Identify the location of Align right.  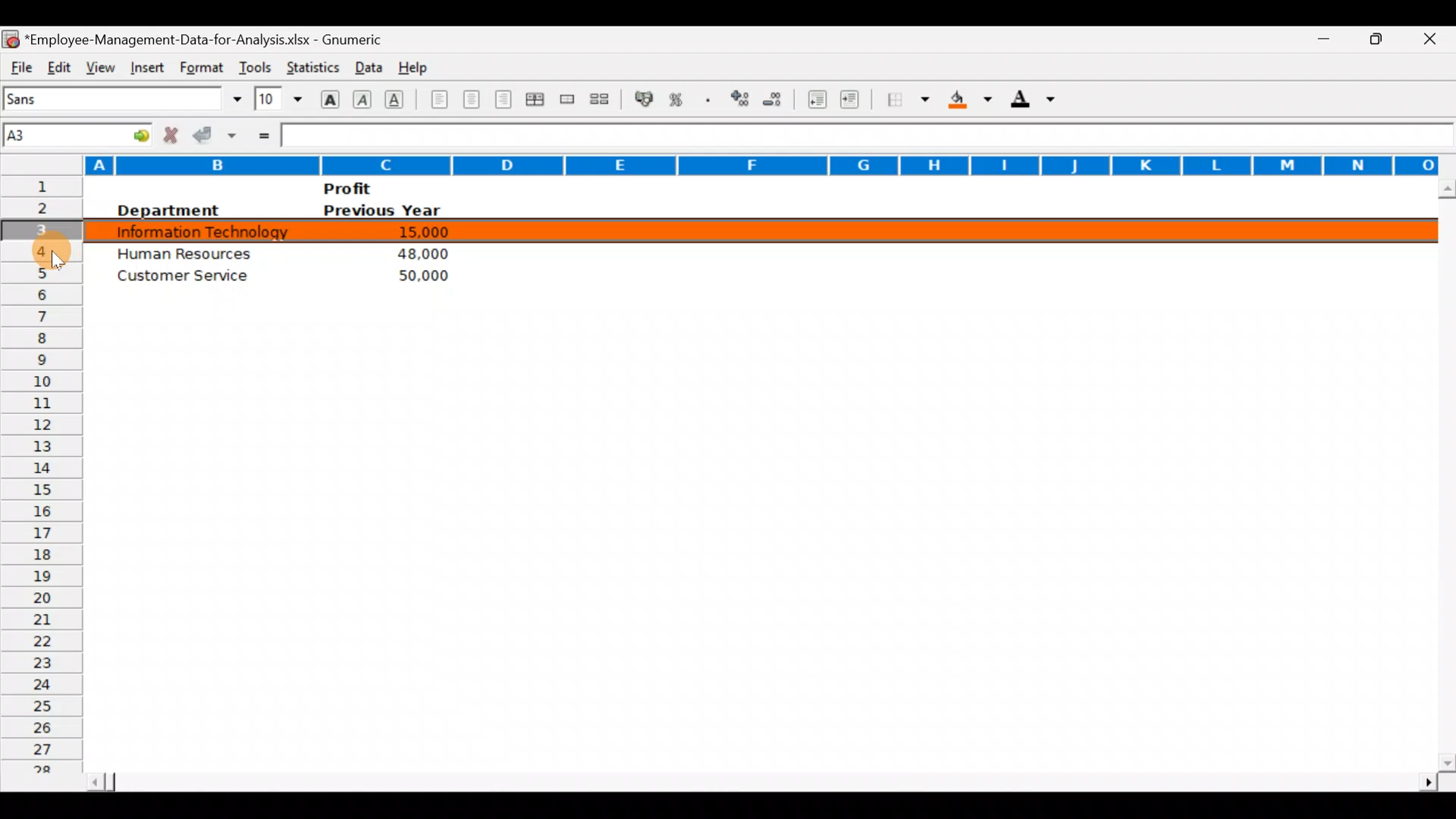
(506, 99).